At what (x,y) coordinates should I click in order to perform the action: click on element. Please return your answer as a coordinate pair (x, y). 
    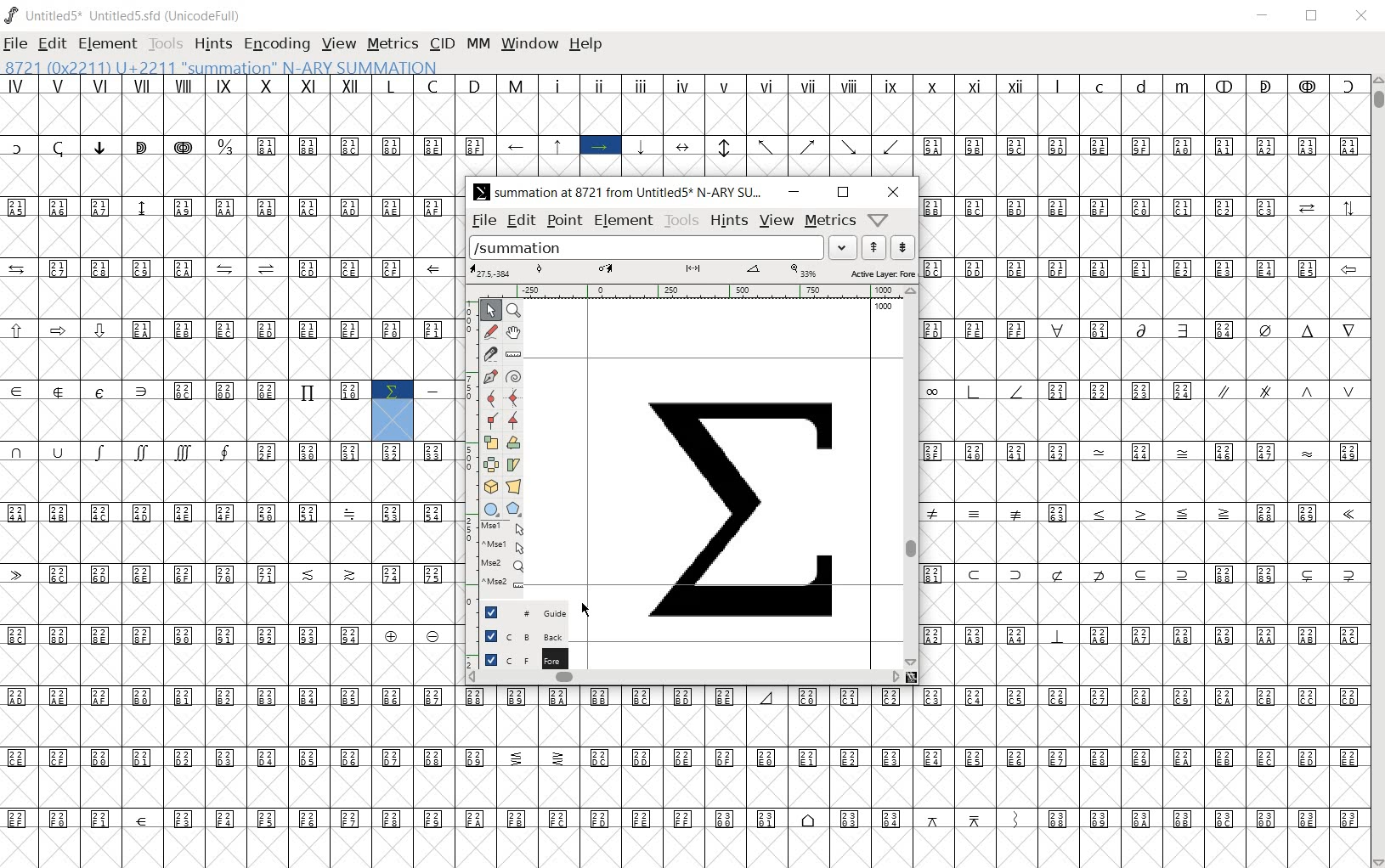
    Looking at the image, I should click on (623, 221).